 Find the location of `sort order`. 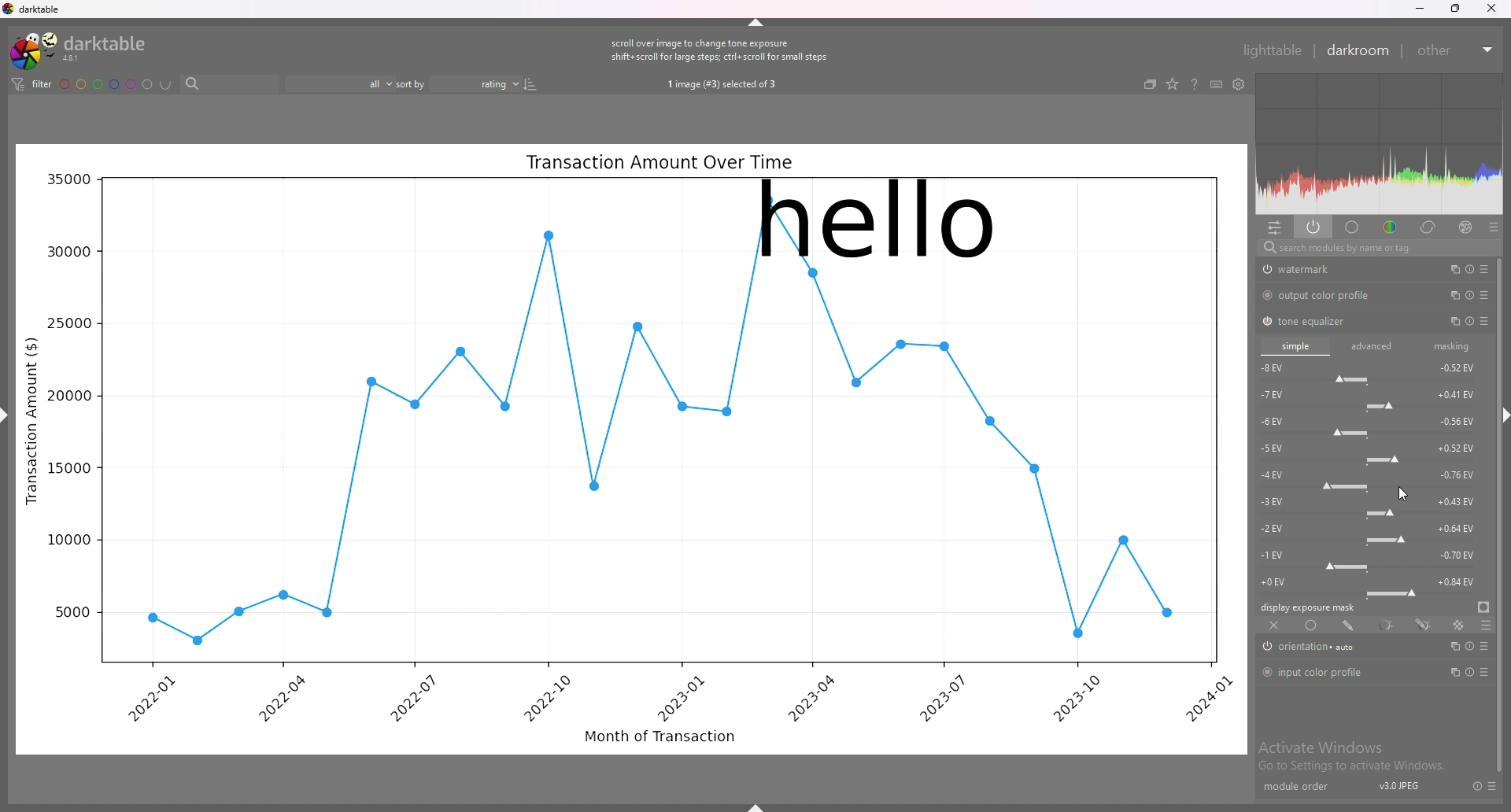

sort order is located at coordinates (475, 83).